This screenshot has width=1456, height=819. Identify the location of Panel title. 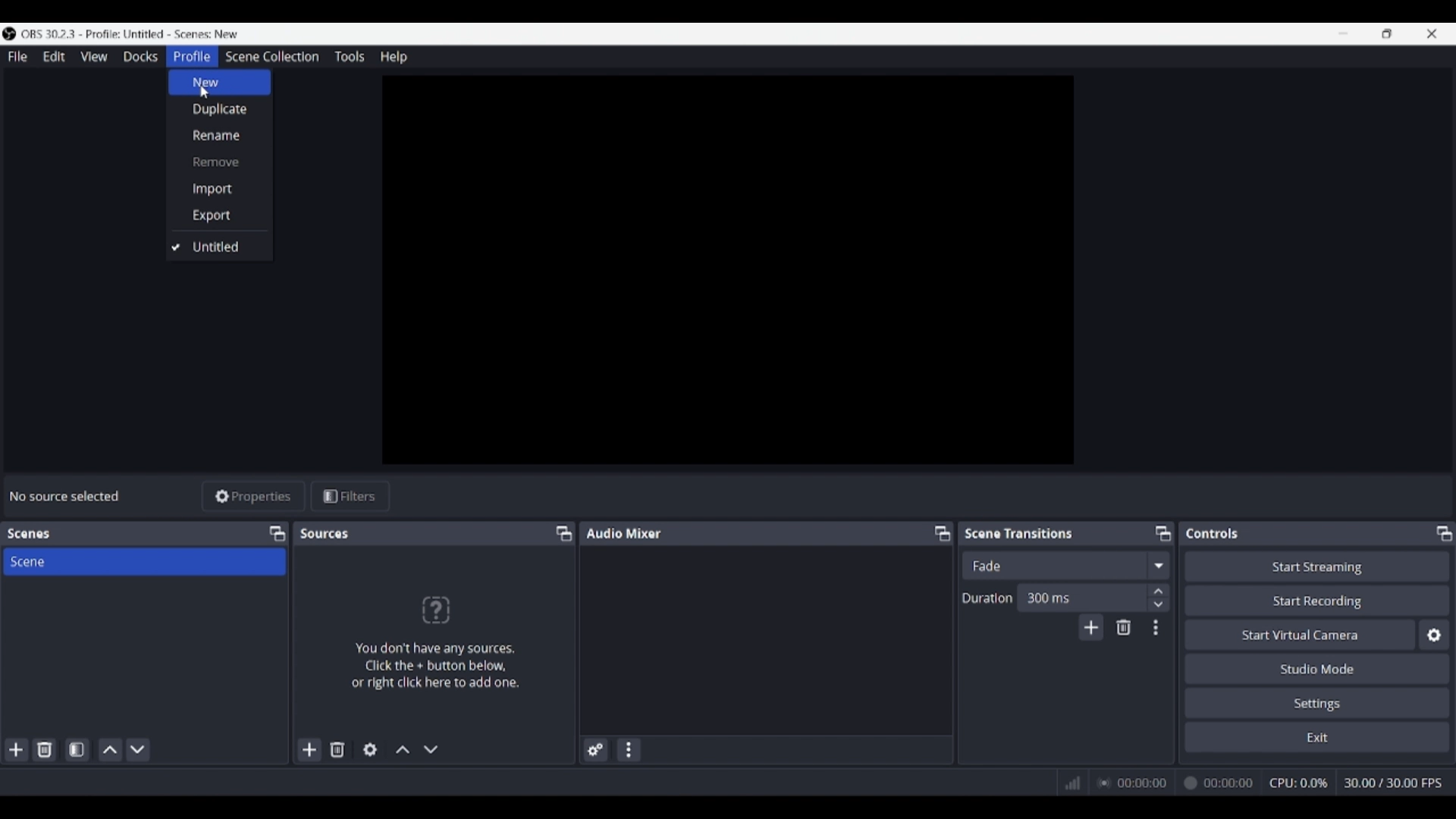
(29, 534).